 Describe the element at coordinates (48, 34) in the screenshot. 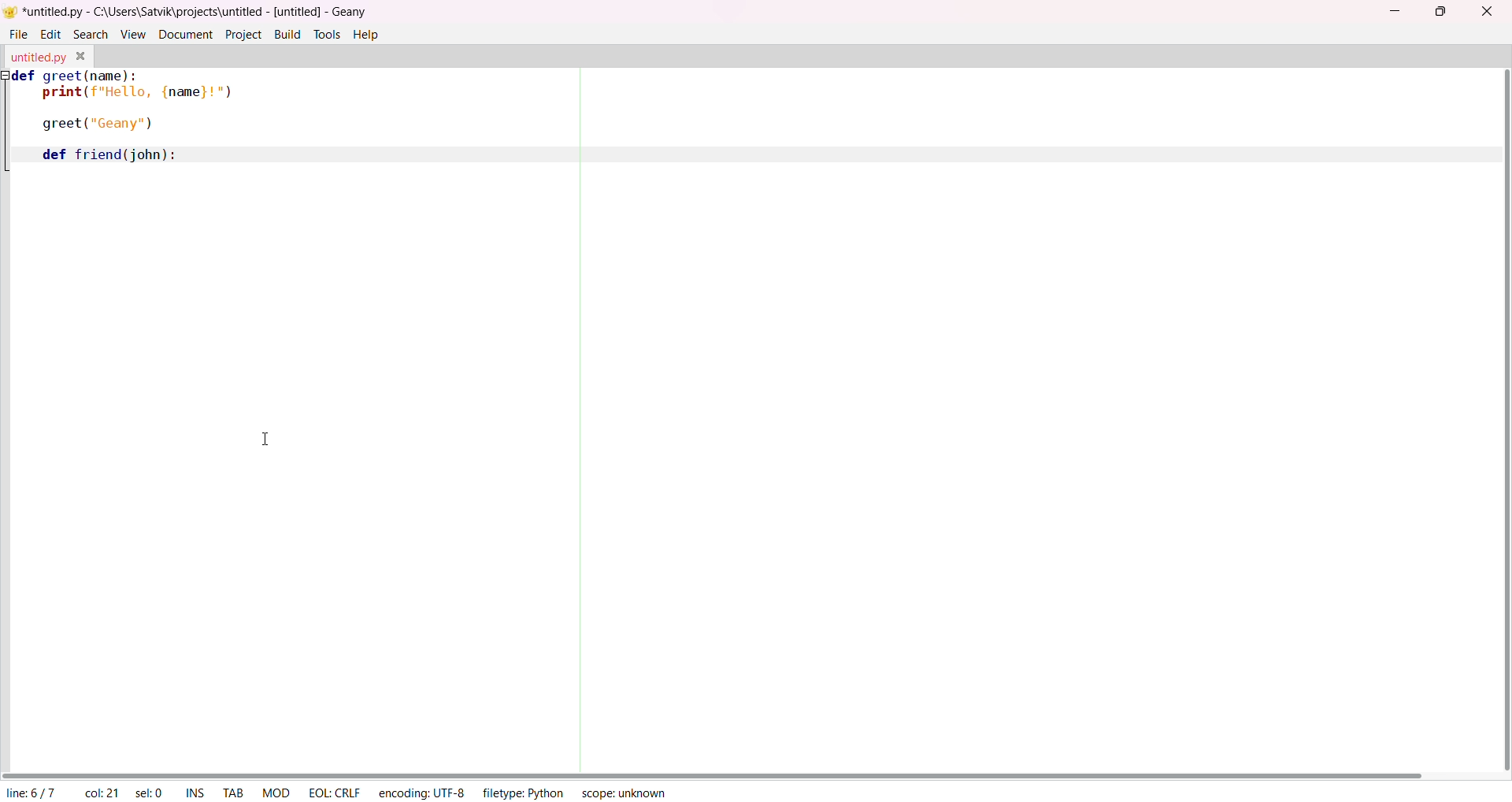

I see `edit` at that location.